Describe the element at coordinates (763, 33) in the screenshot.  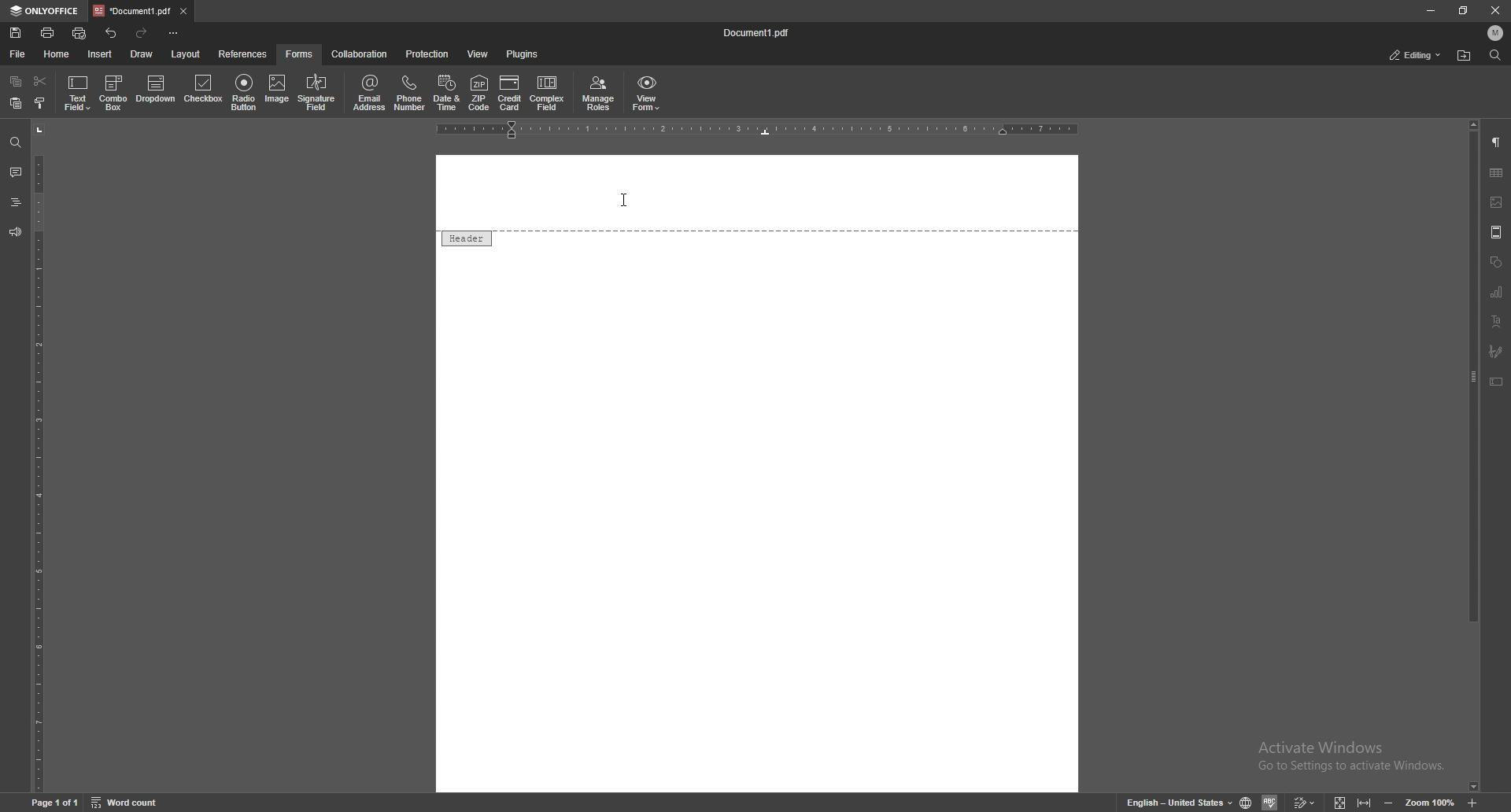
I see `document` at that location.